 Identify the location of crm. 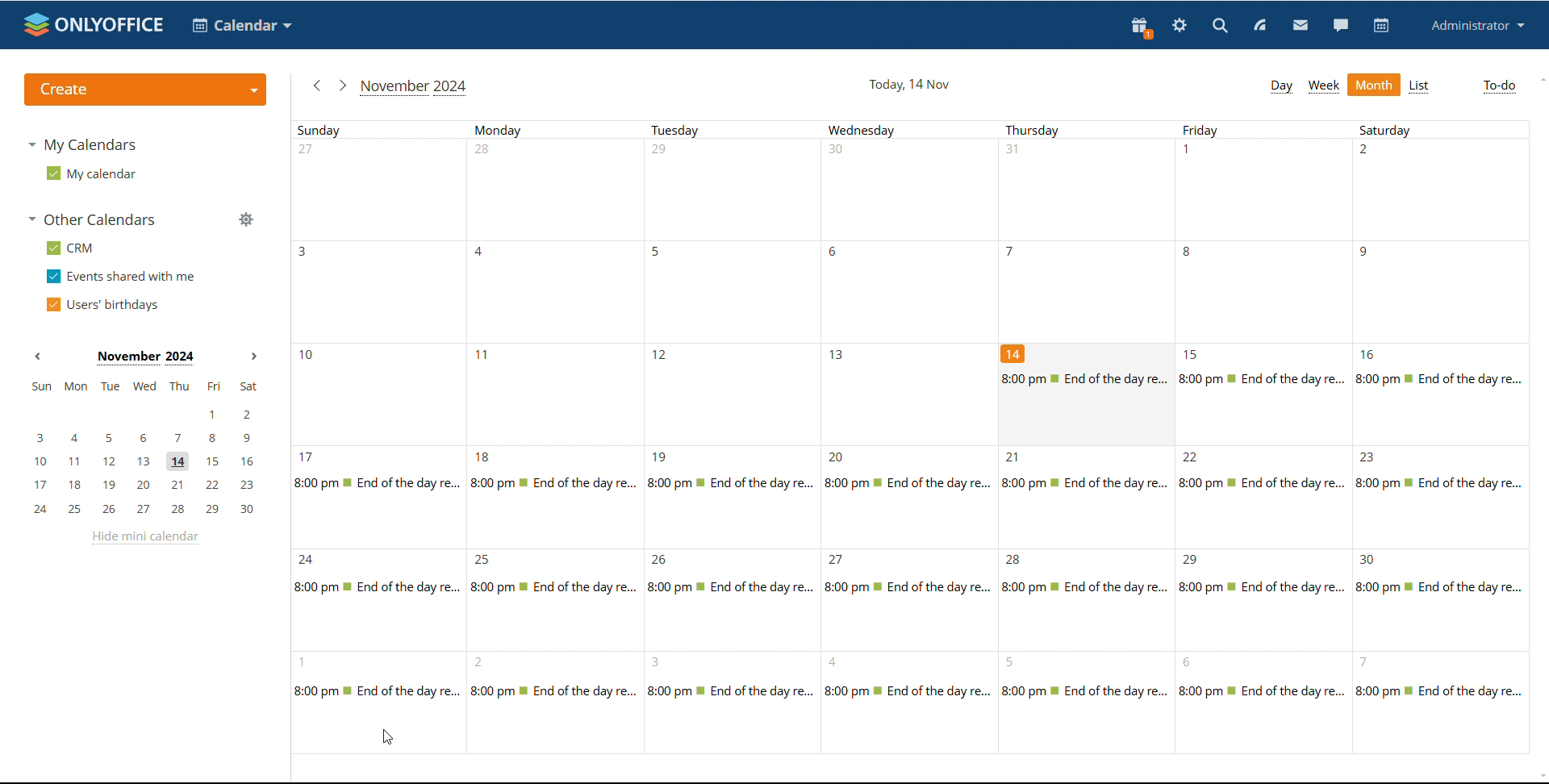
(71, 248).